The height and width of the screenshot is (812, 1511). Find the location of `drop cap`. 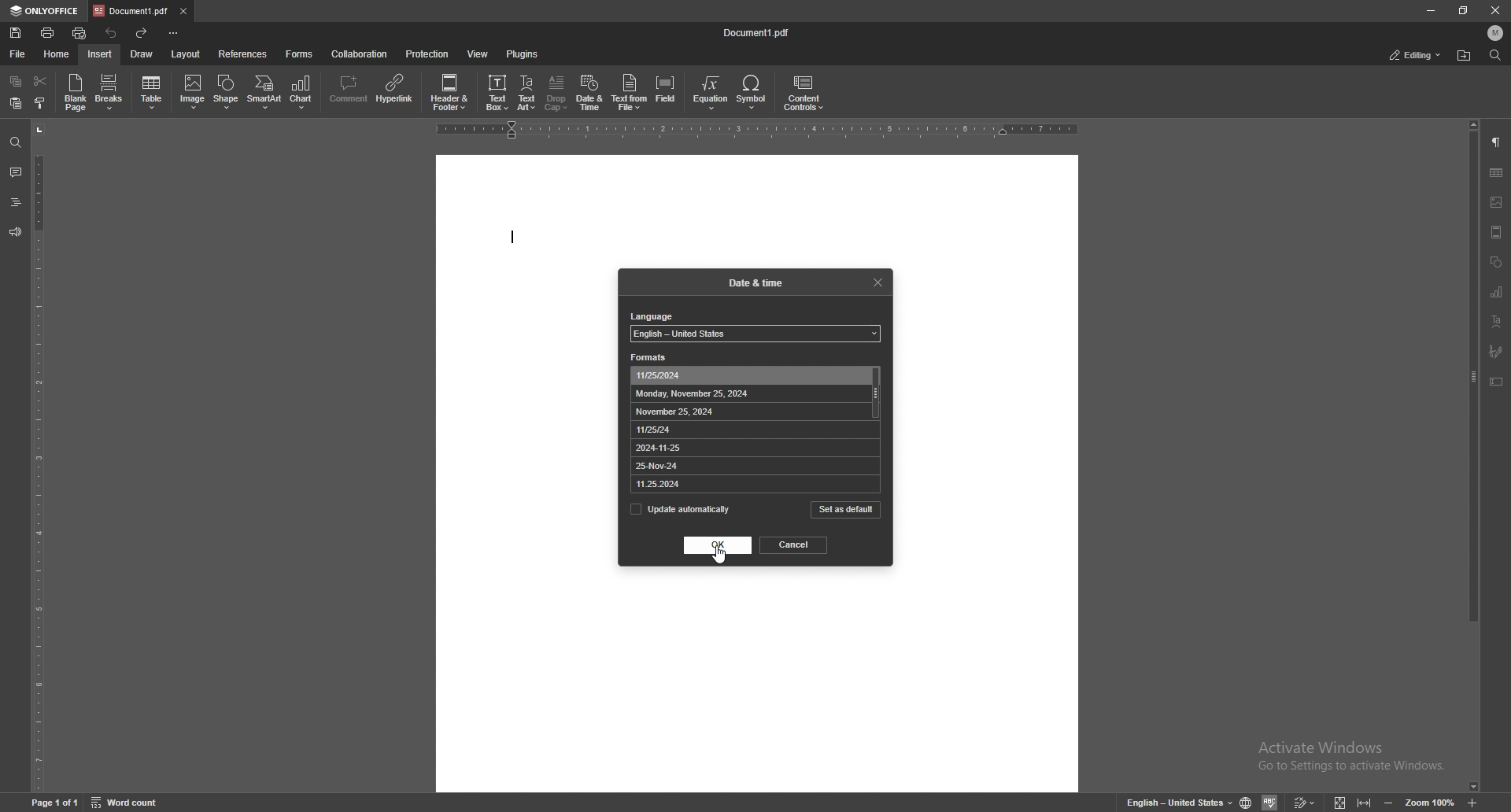

drop cap is located at coordinates (557, 93).